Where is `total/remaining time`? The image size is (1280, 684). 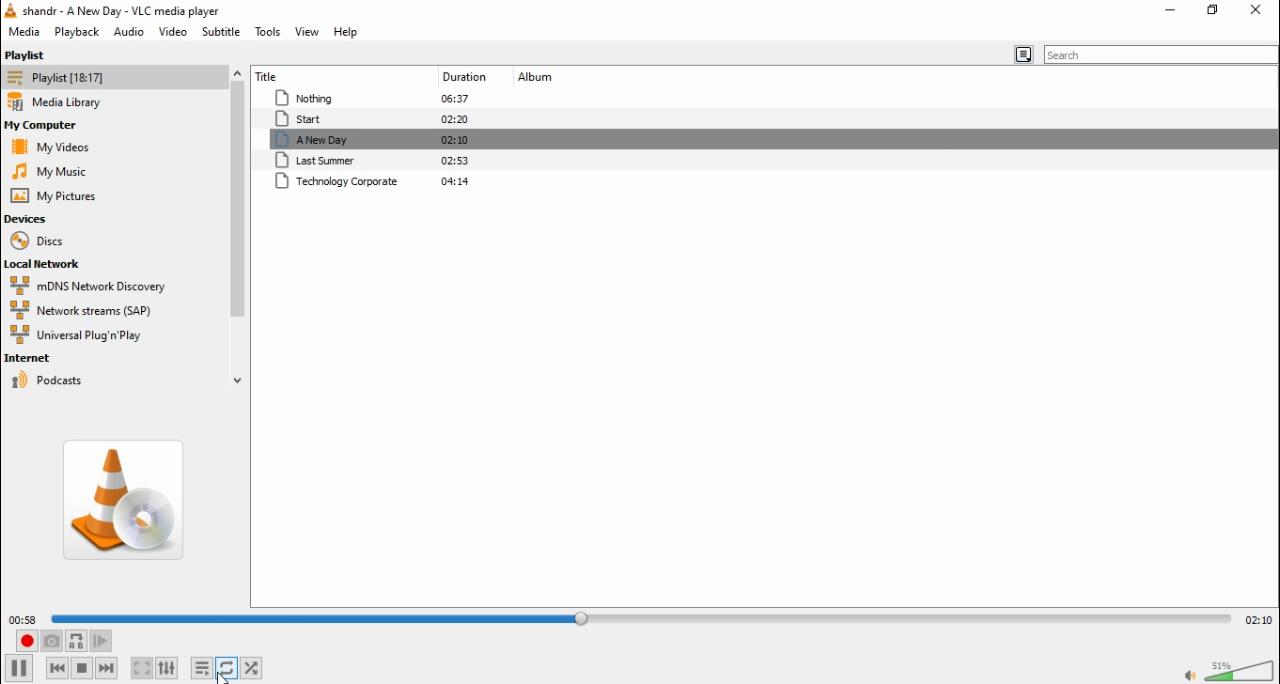
total/remaining time is located at coordinates (1258, 617).